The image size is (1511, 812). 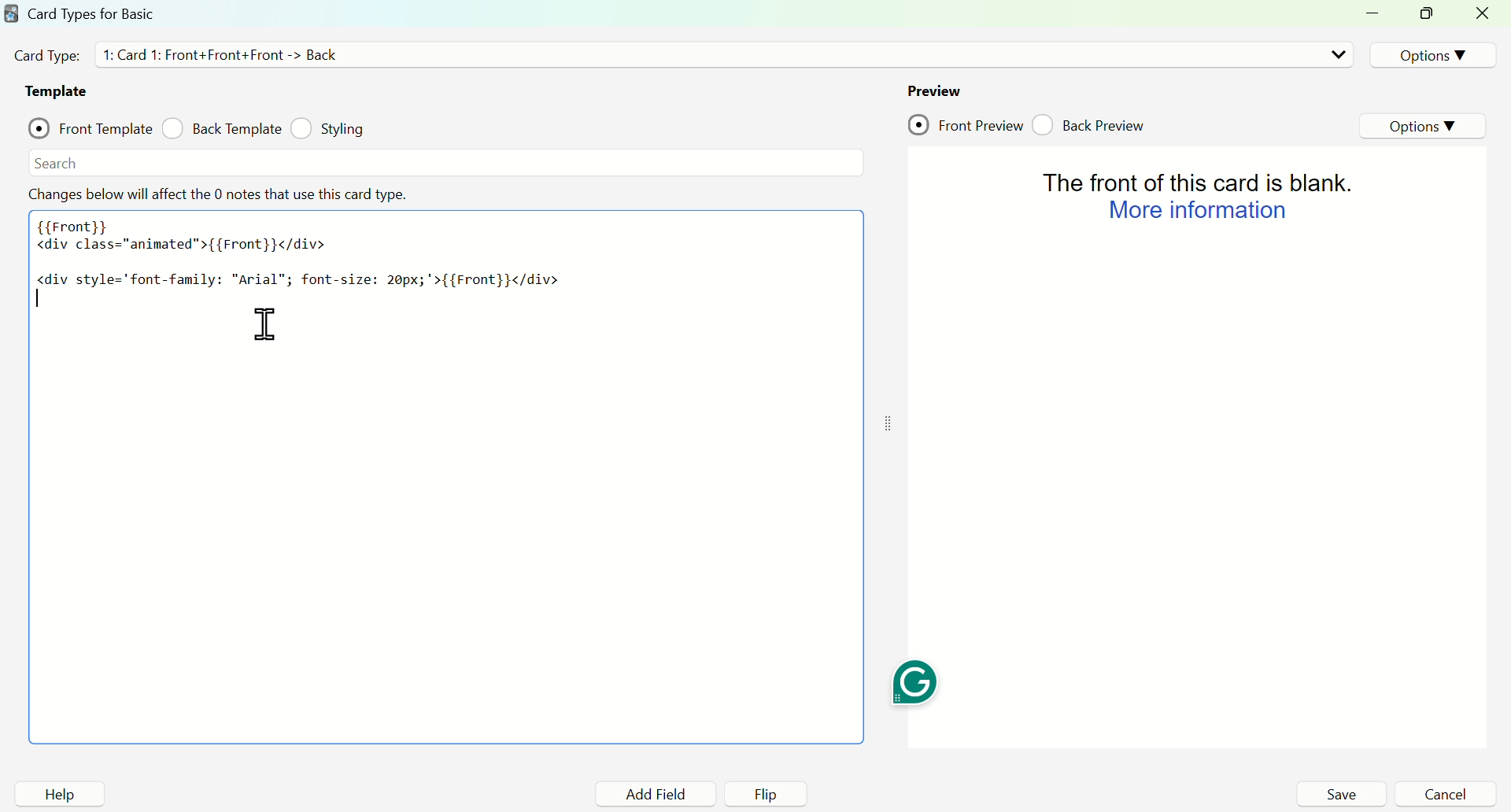 What do you see at coordinates (653, 795) in the screenshot?
I see `add field` at bounding box center [653, 795].